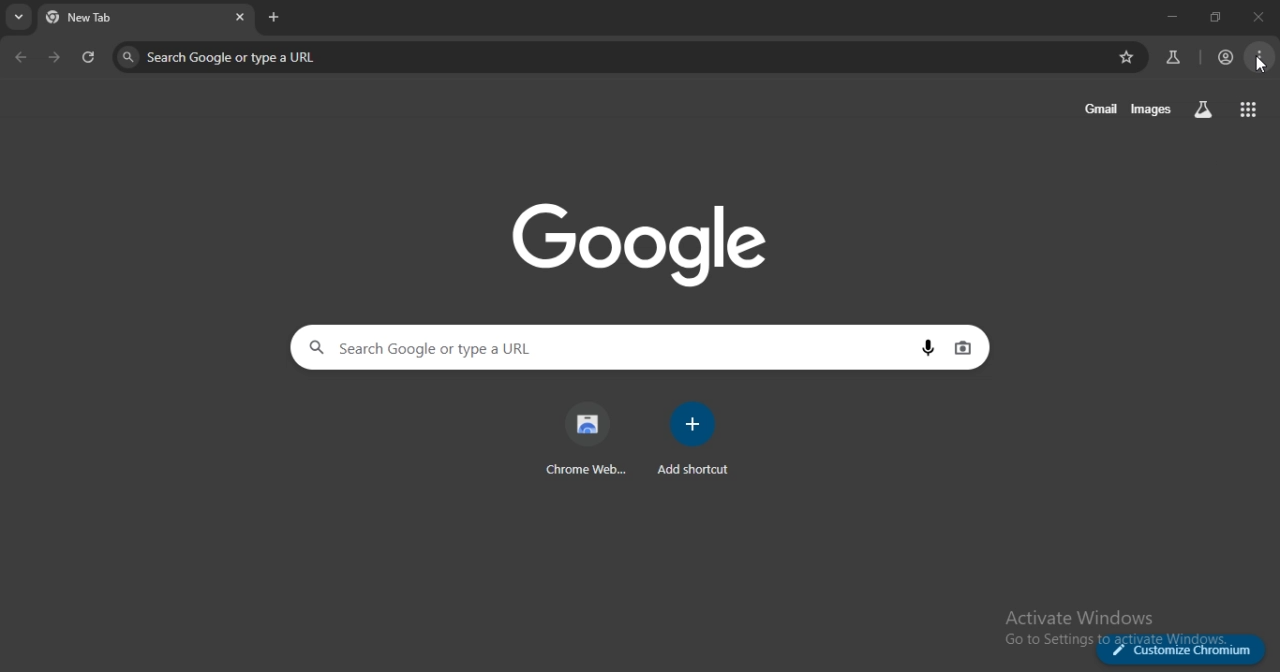 Image resolution: width=1280 pixels, height=672 pixels. What do you see at coordinates (58, 58) in the screenshot?
I see `one page forward` at bounding box center [58, 58].